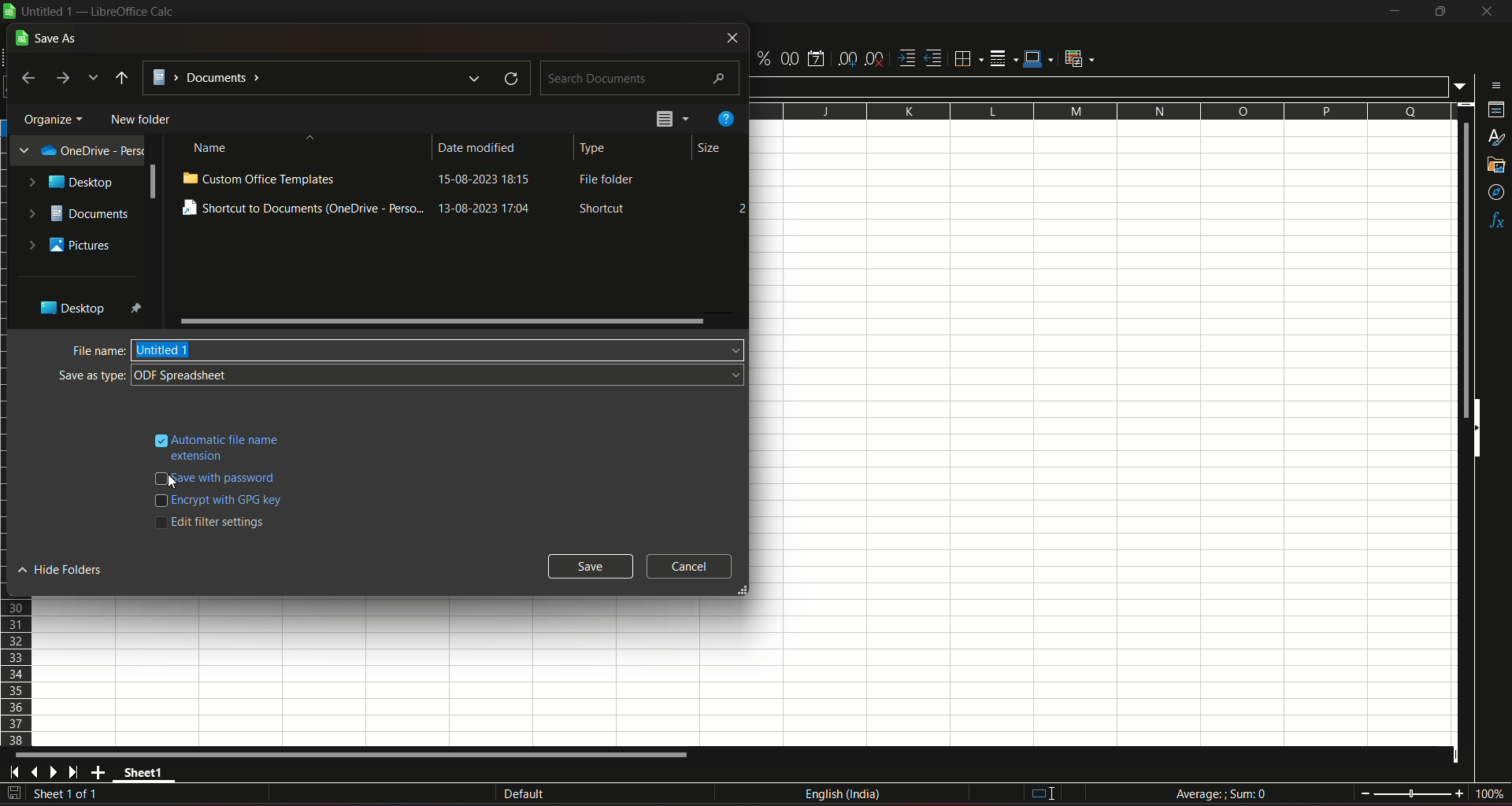 This screenshot has width=1512, height=806. Describe the element at coordinates (492, 183) in the screenshot. I see `15-08-2023 18:15` at that location.